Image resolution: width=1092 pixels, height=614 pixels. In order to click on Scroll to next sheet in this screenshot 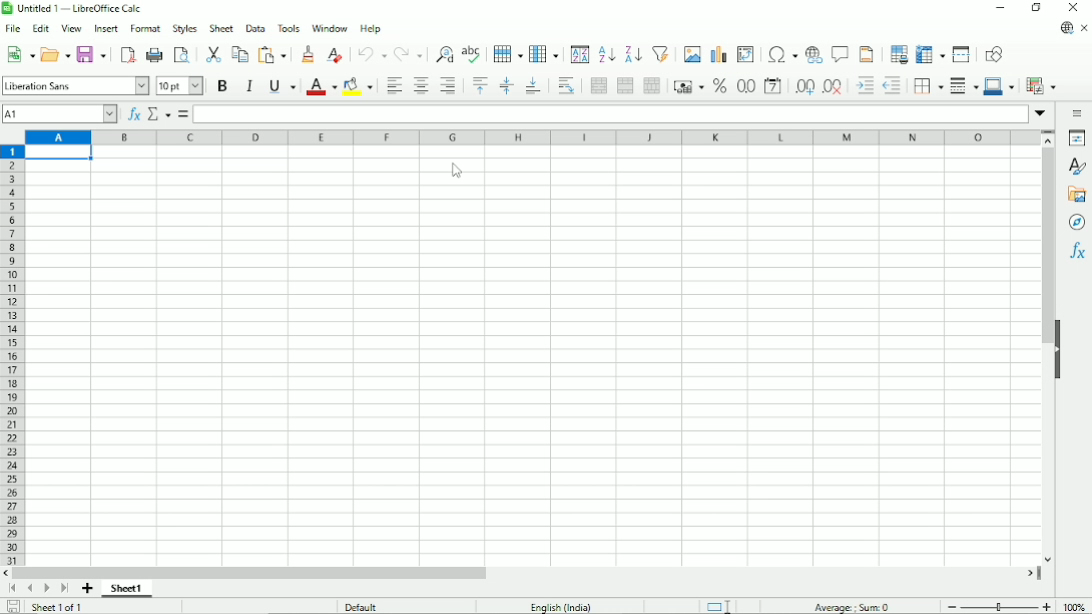, I will do `click(44, 588)`.